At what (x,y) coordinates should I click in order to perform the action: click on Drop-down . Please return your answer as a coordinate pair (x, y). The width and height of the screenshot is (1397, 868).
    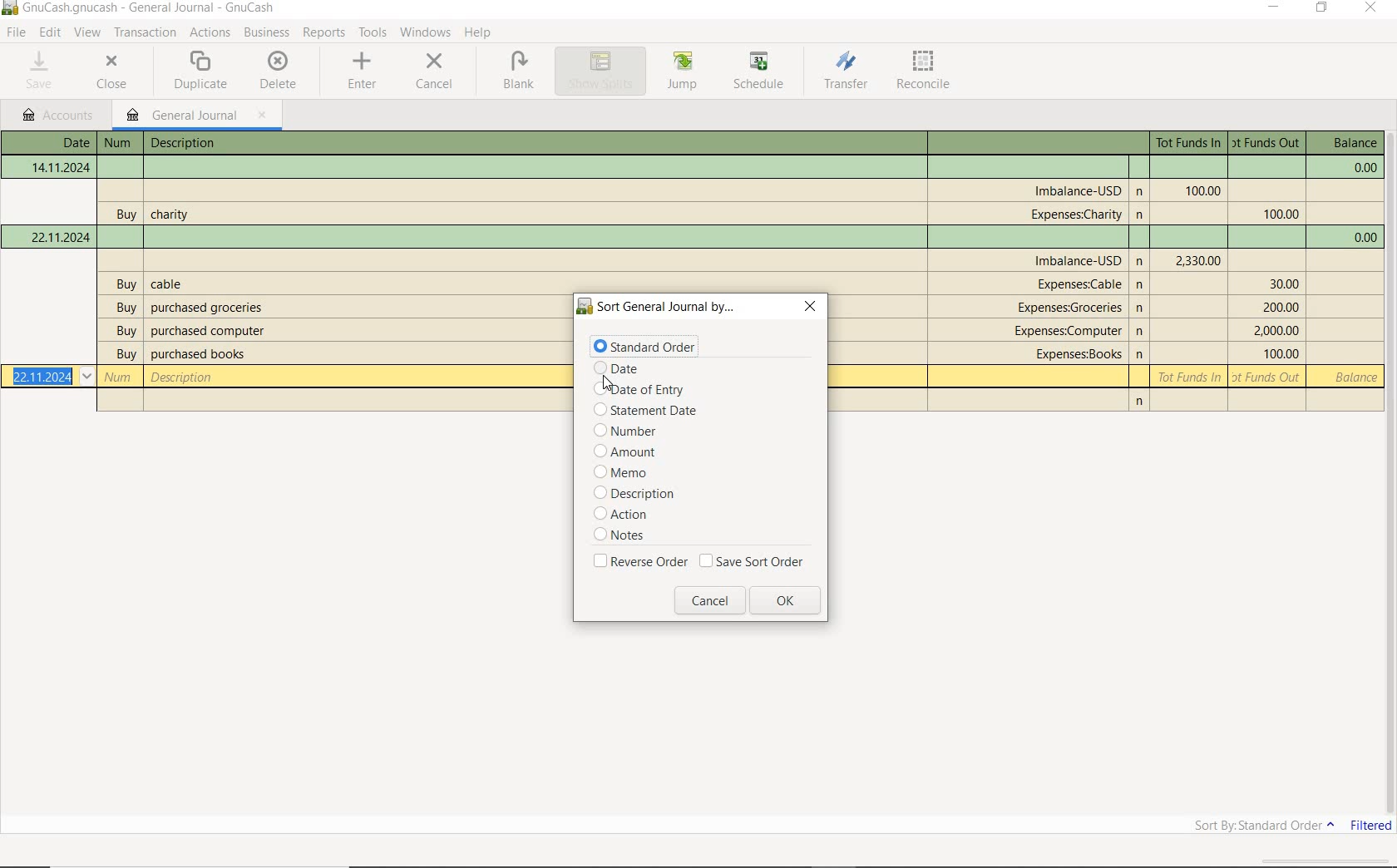
    Looking at the image, I should click on (87, 377).